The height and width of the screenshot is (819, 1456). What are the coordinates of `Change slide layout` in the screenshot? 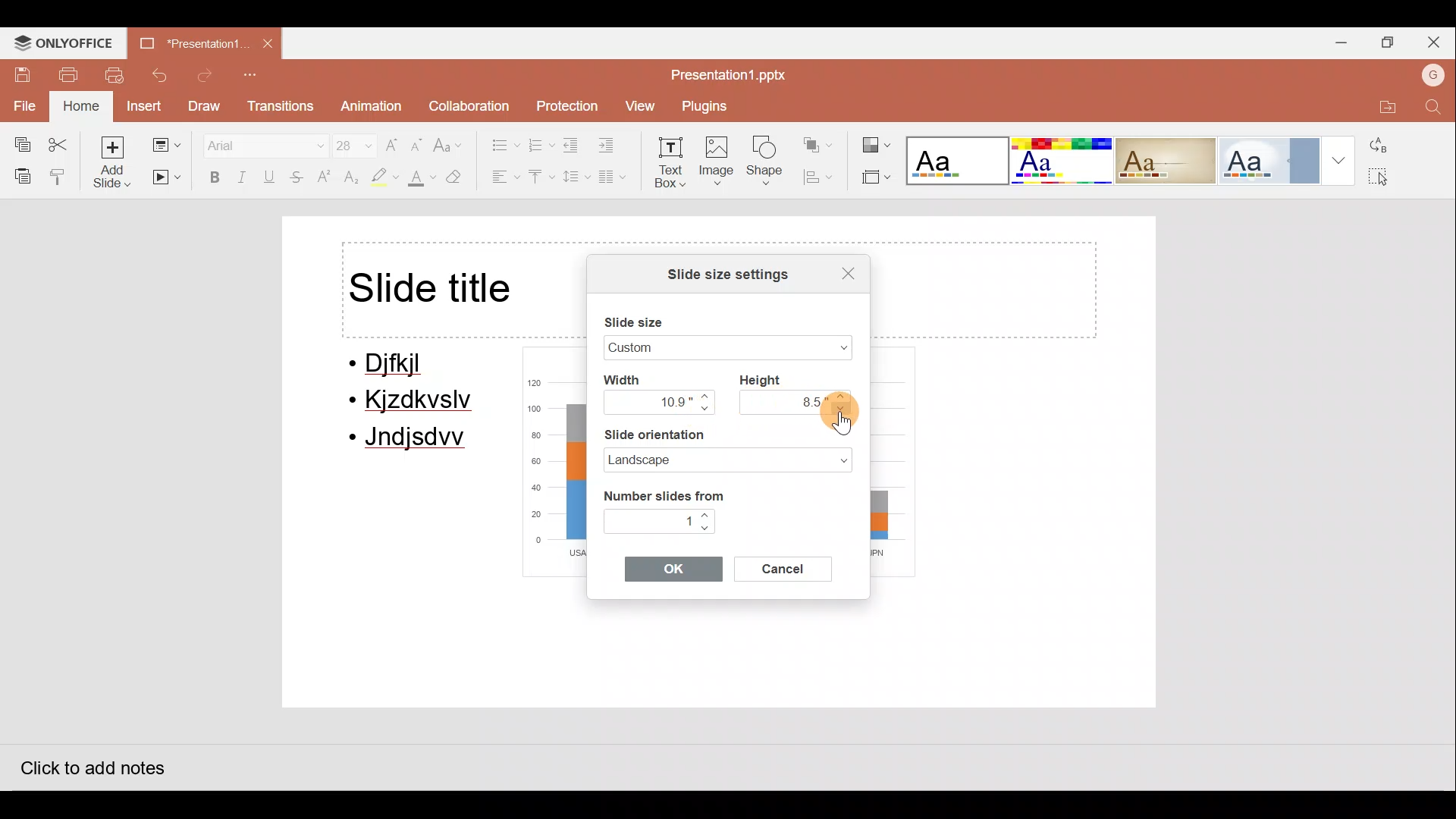 It's located at (165, 142).